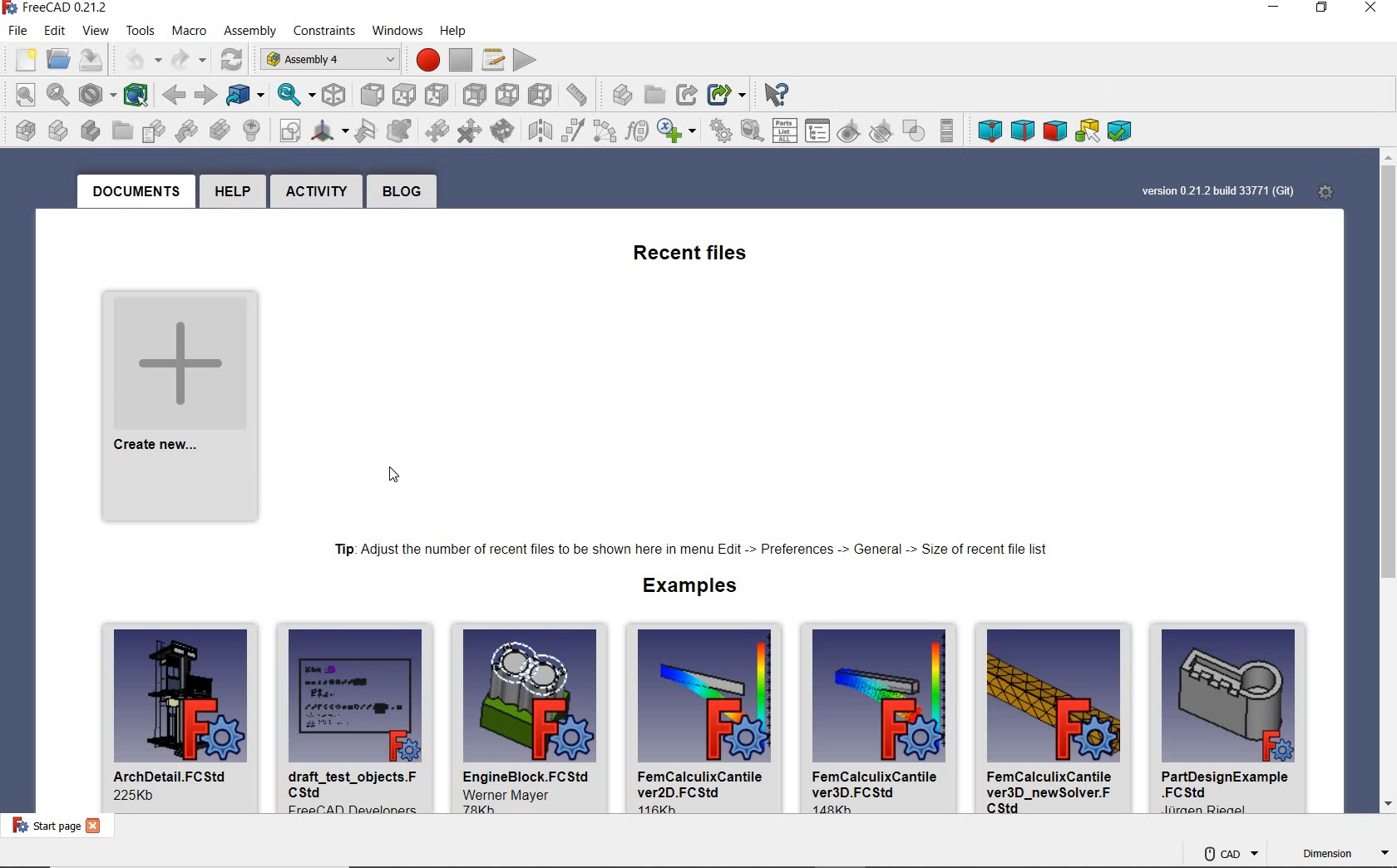 Image resolution: width=1397 pixels, height=868 pixels. Describe the element at coordinates (438, 95) in the screenshot. I see `right` at that location.